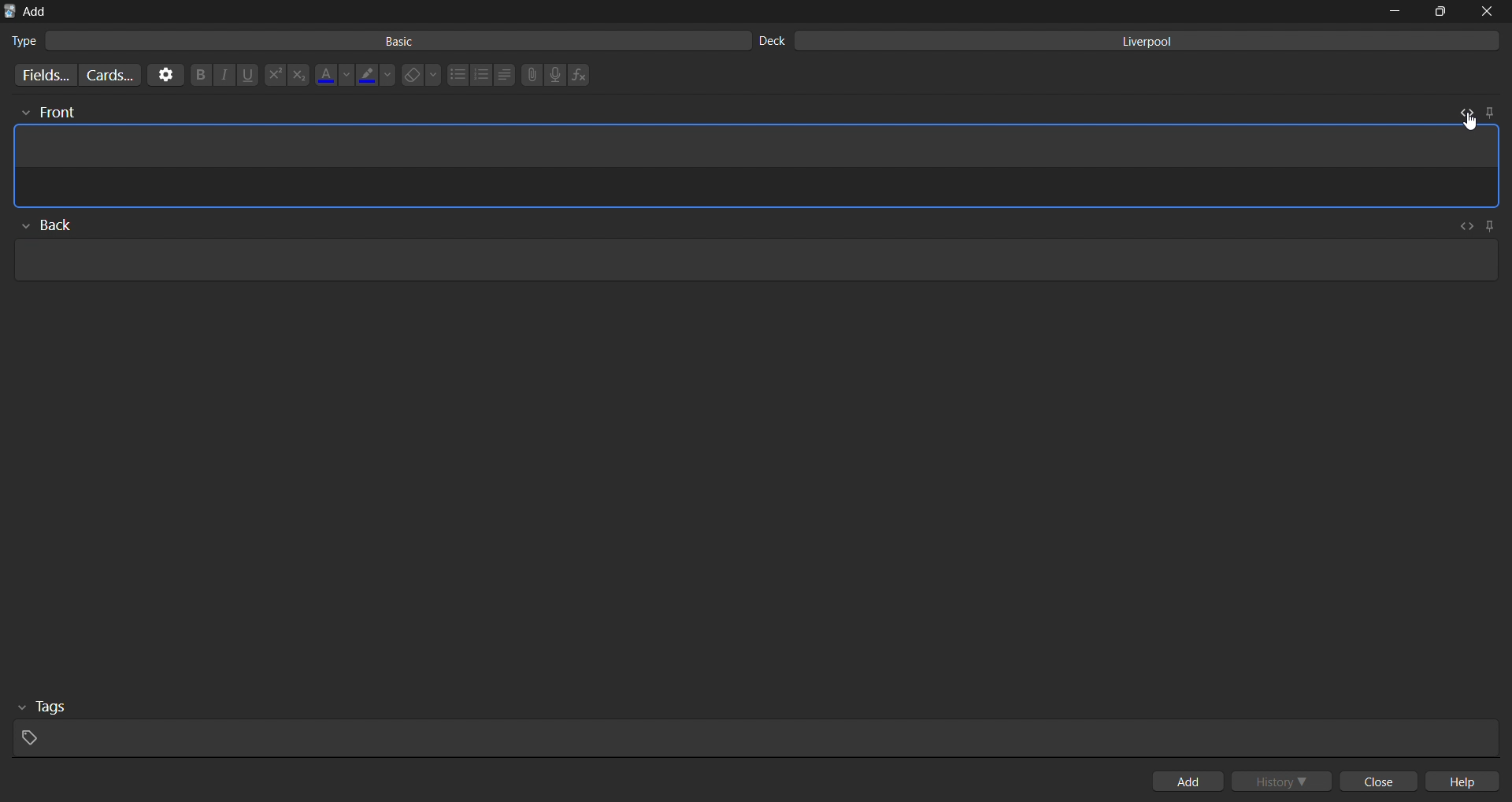 The image size is (1512, 802). I want to click on highlight color, so click(377, 72).